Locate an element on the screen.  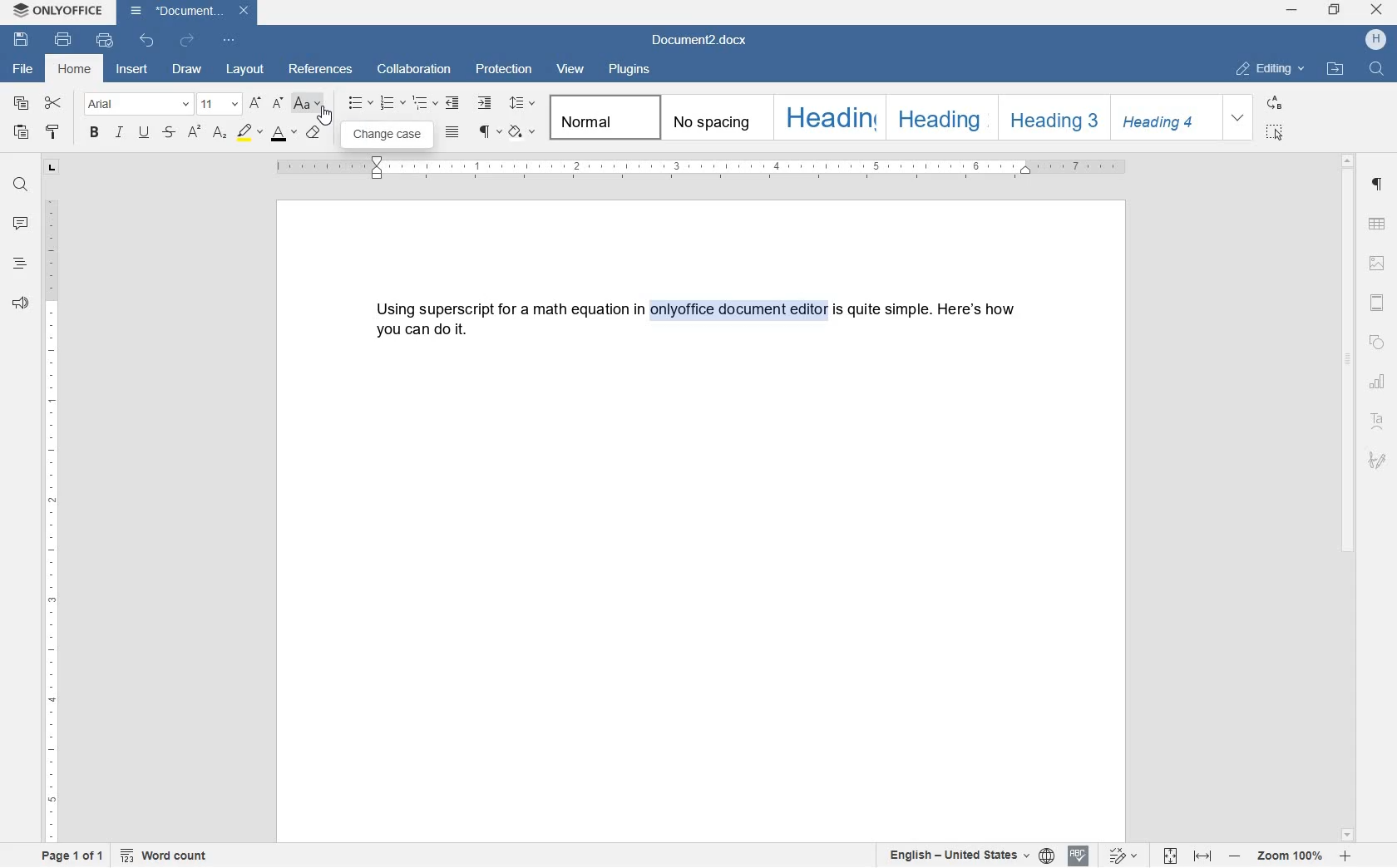
bullets is located at coordinates (360, 102).